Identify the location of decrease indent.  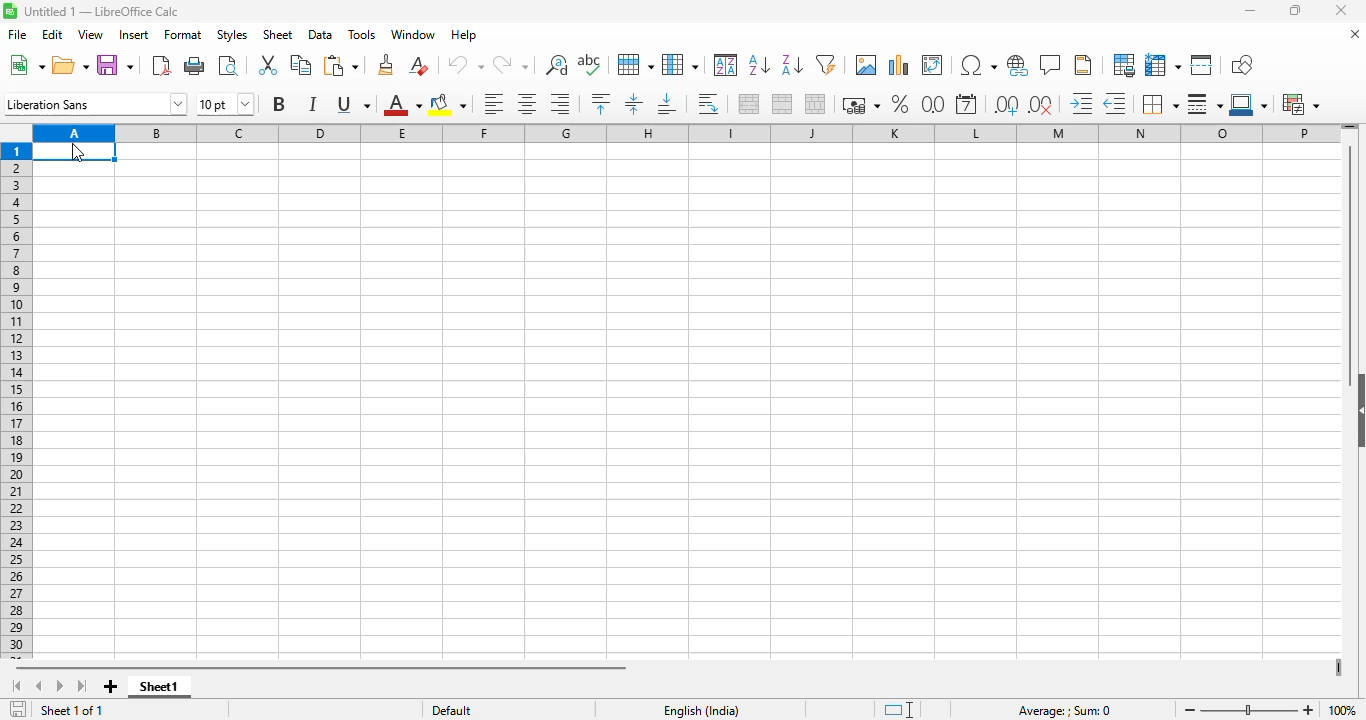
(1115, 104).